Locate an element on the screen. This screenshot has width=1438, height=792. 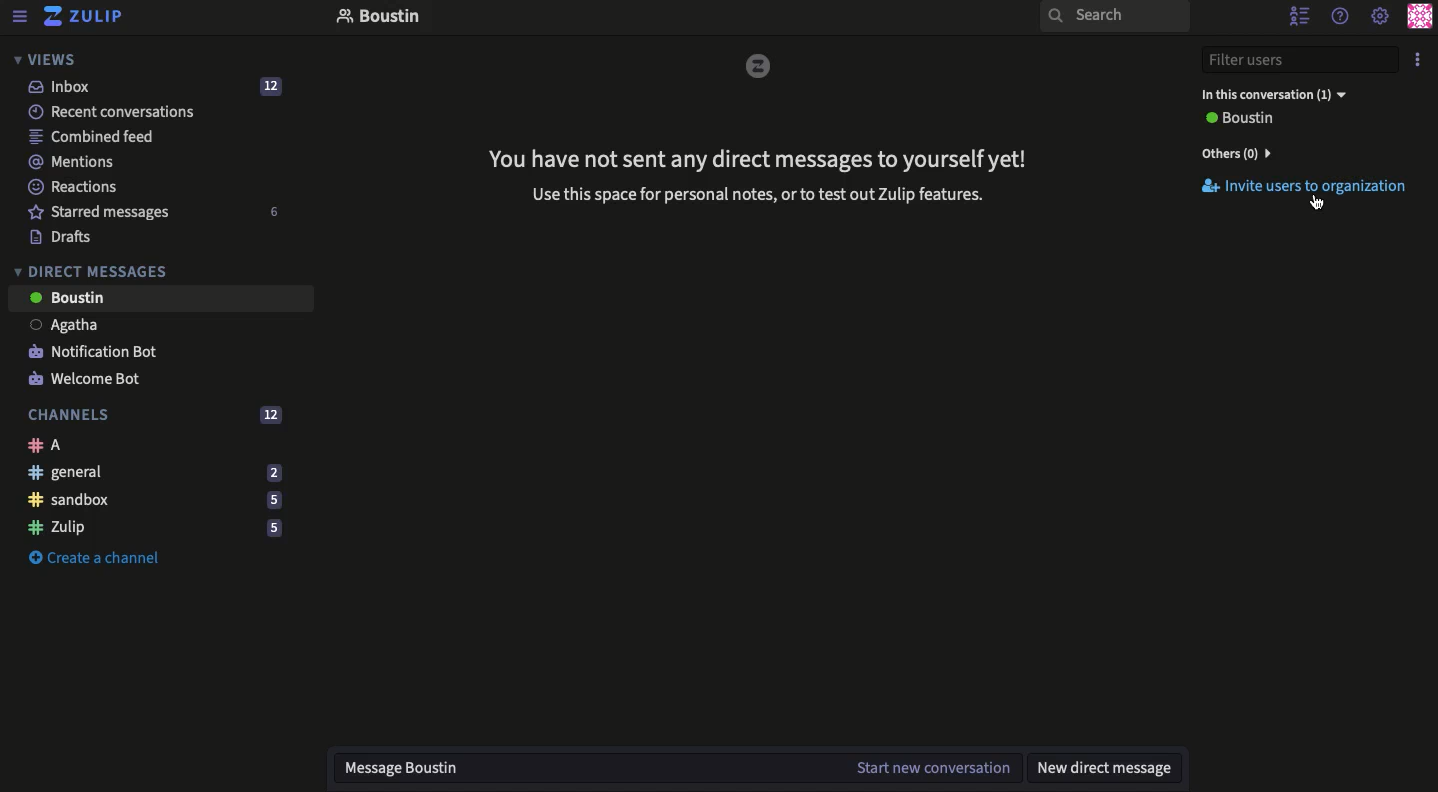
Help is located at coordinates (1338, 15).